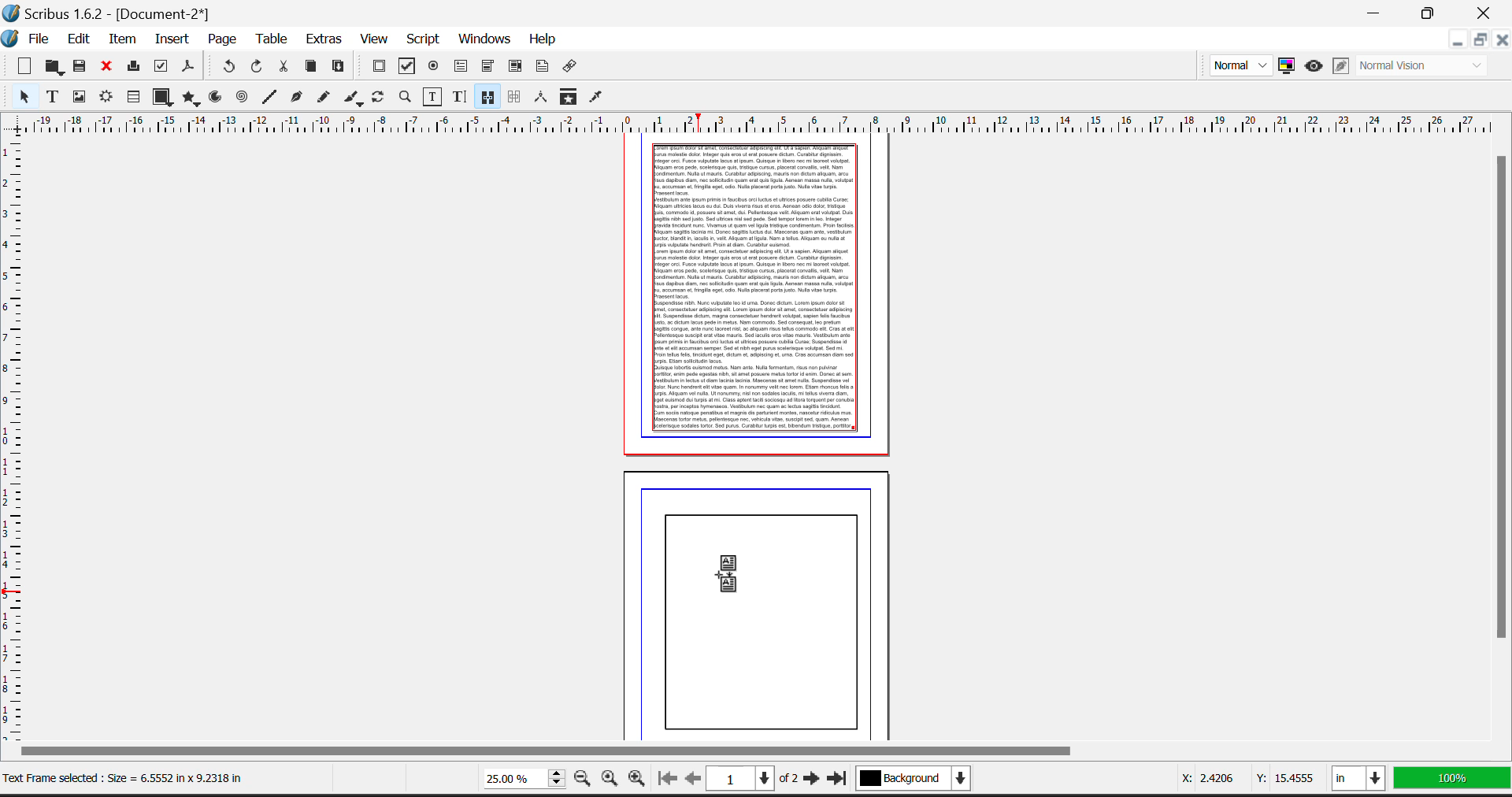 Image resolution: width=1512 pixels, height=797 pixels. Describe the element at coordinates (1487, 11) in the screenshot. I see `Close` at that location.